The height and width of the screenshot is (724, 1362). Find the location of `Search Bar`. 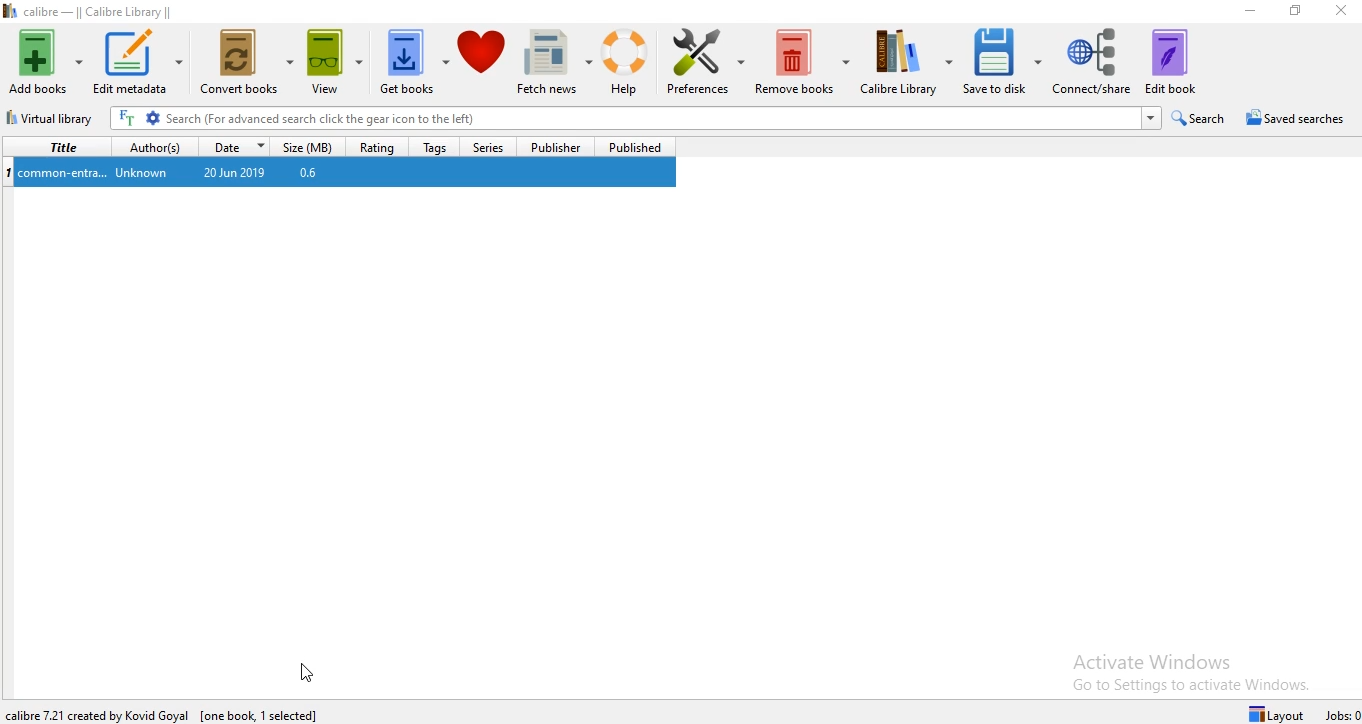

Search Bar is located at coordinates (663, 119).